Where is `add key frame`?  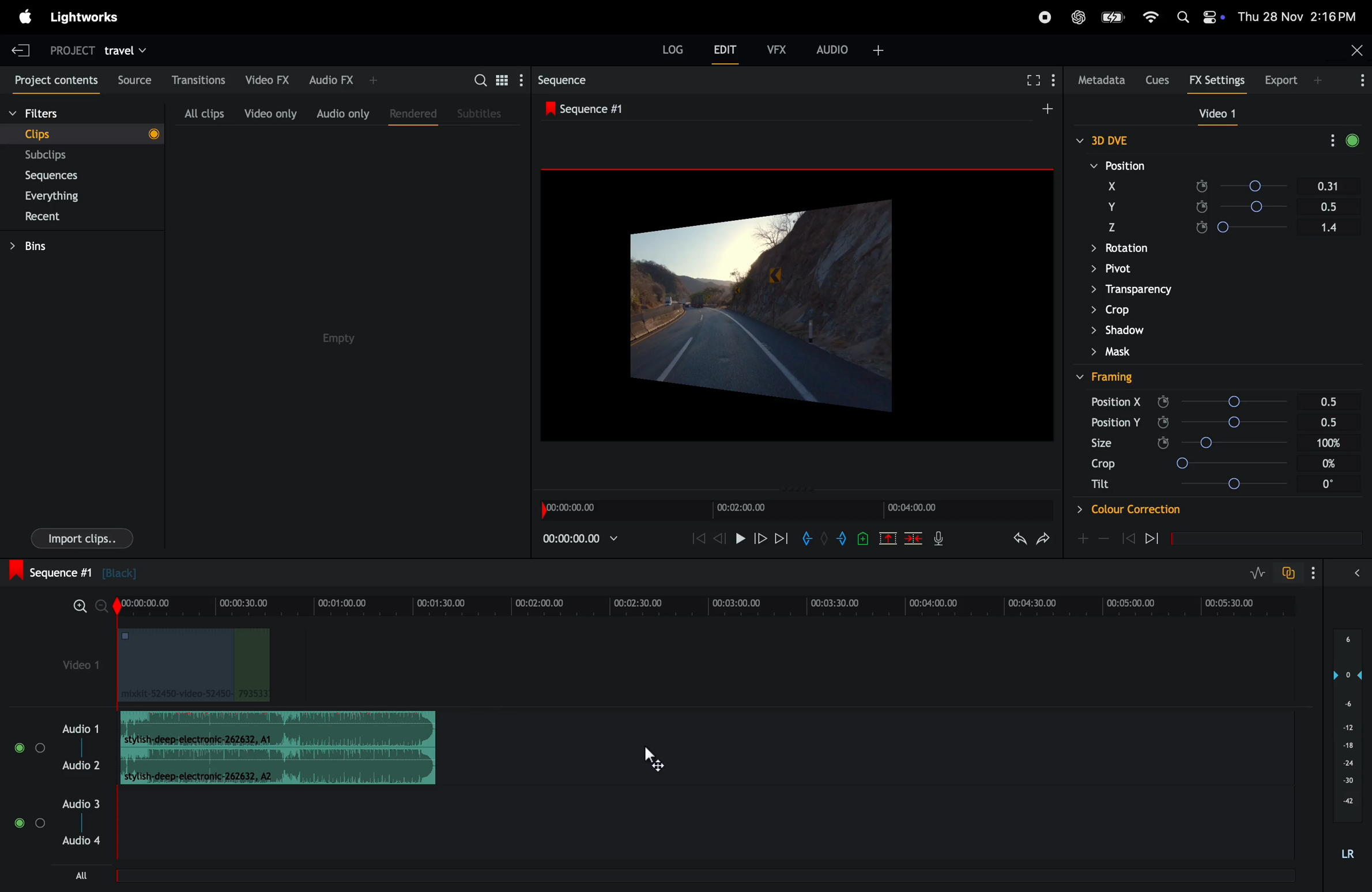 add key frame is located at coordinates (1083, 538).